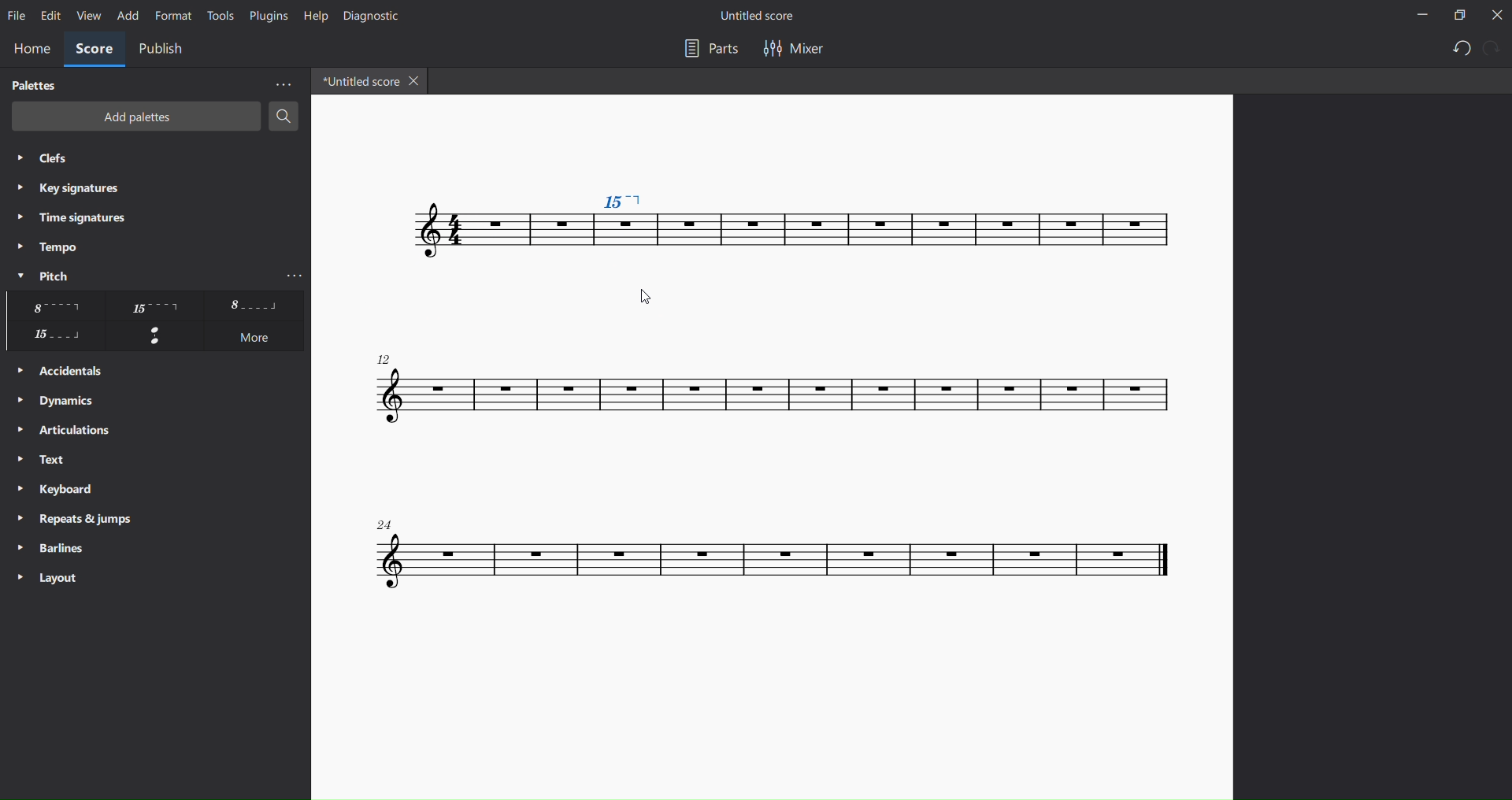 The height and width of the screenshot is (800, 1512). What do you see at coordinates (48, 461) in the screenshot?
I see `text` at bounding box center [48, 461].